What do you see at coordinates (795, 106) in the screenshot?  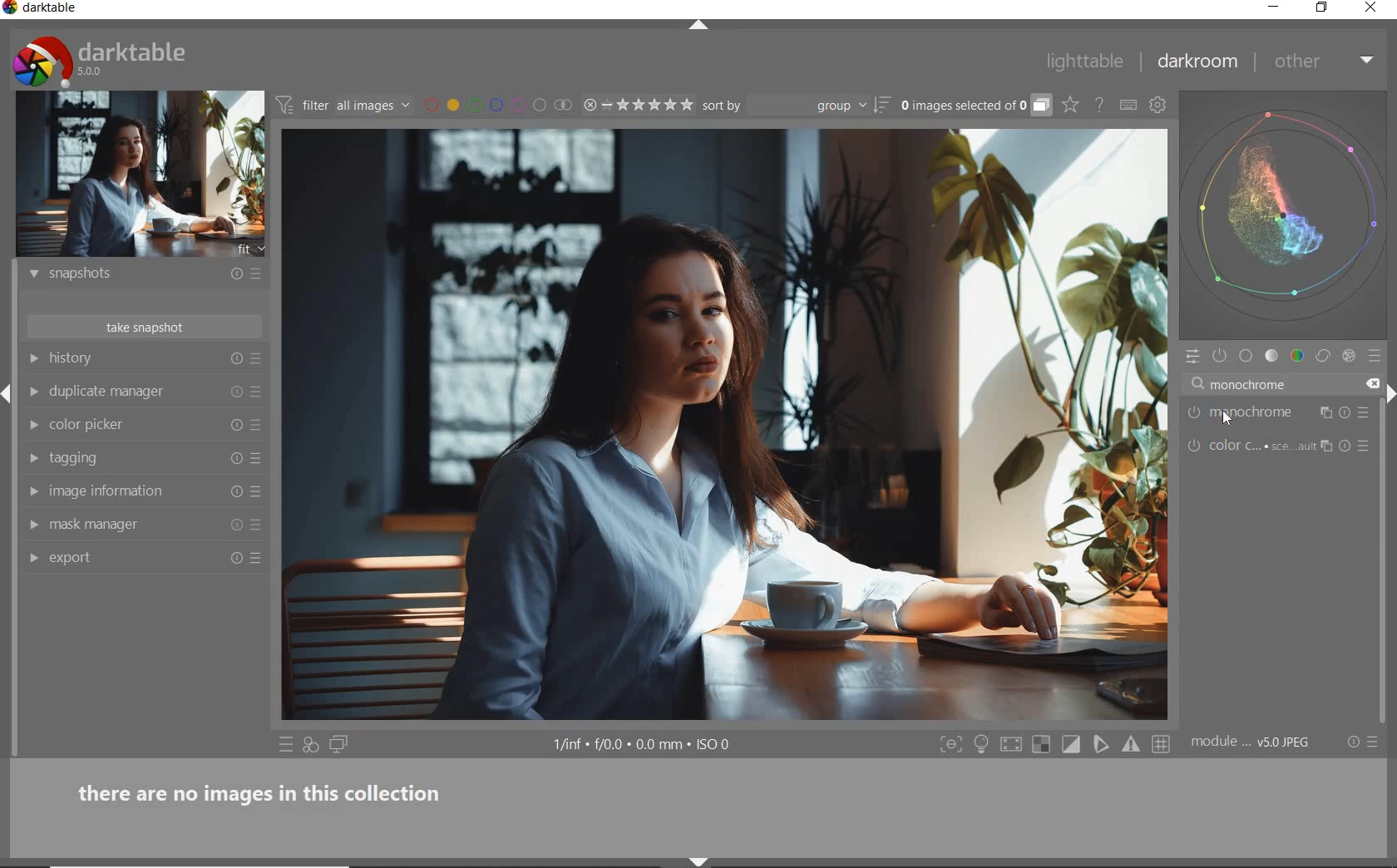 I see `sort` at bounding box center [795, 106].